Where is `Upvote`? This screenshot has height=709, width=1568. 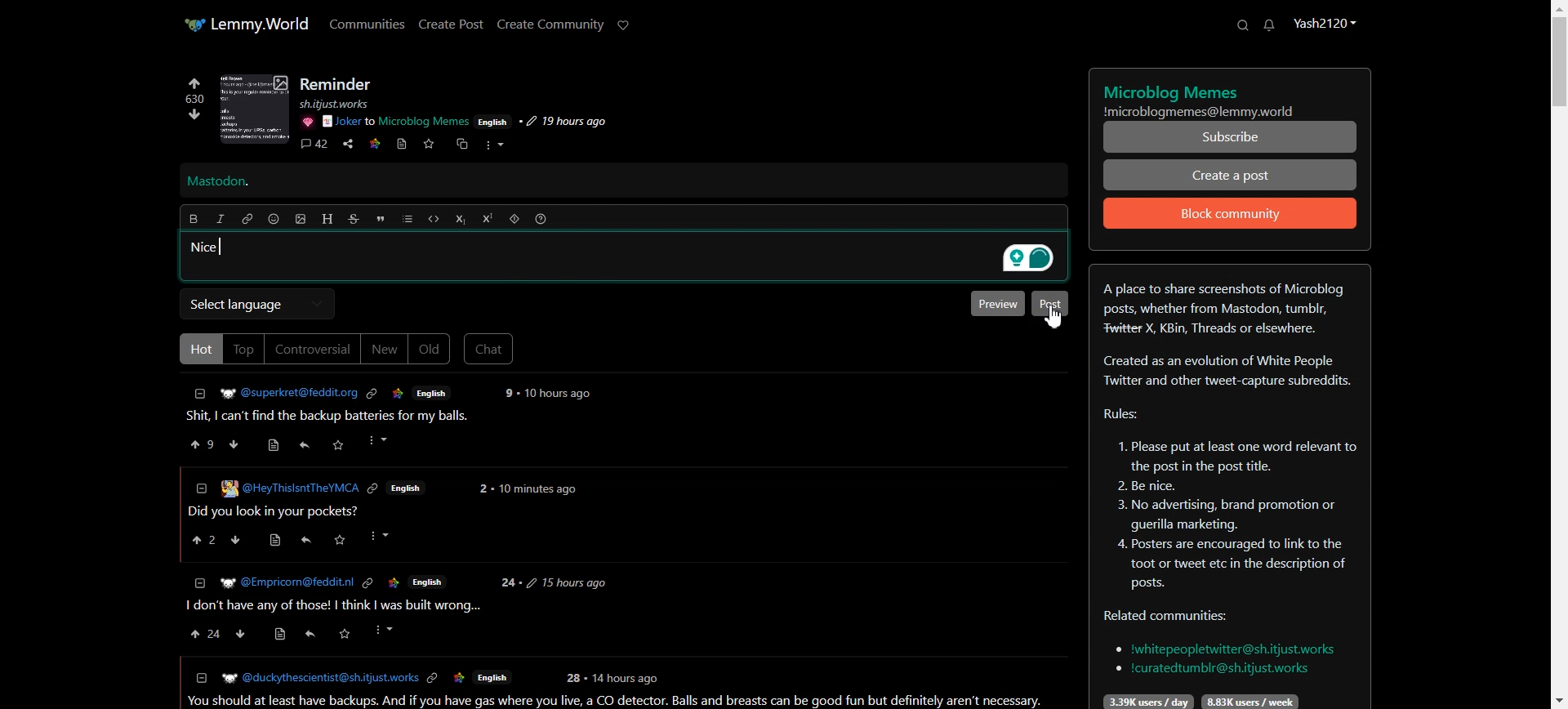
Upvote is located at coordinates (203, 444).